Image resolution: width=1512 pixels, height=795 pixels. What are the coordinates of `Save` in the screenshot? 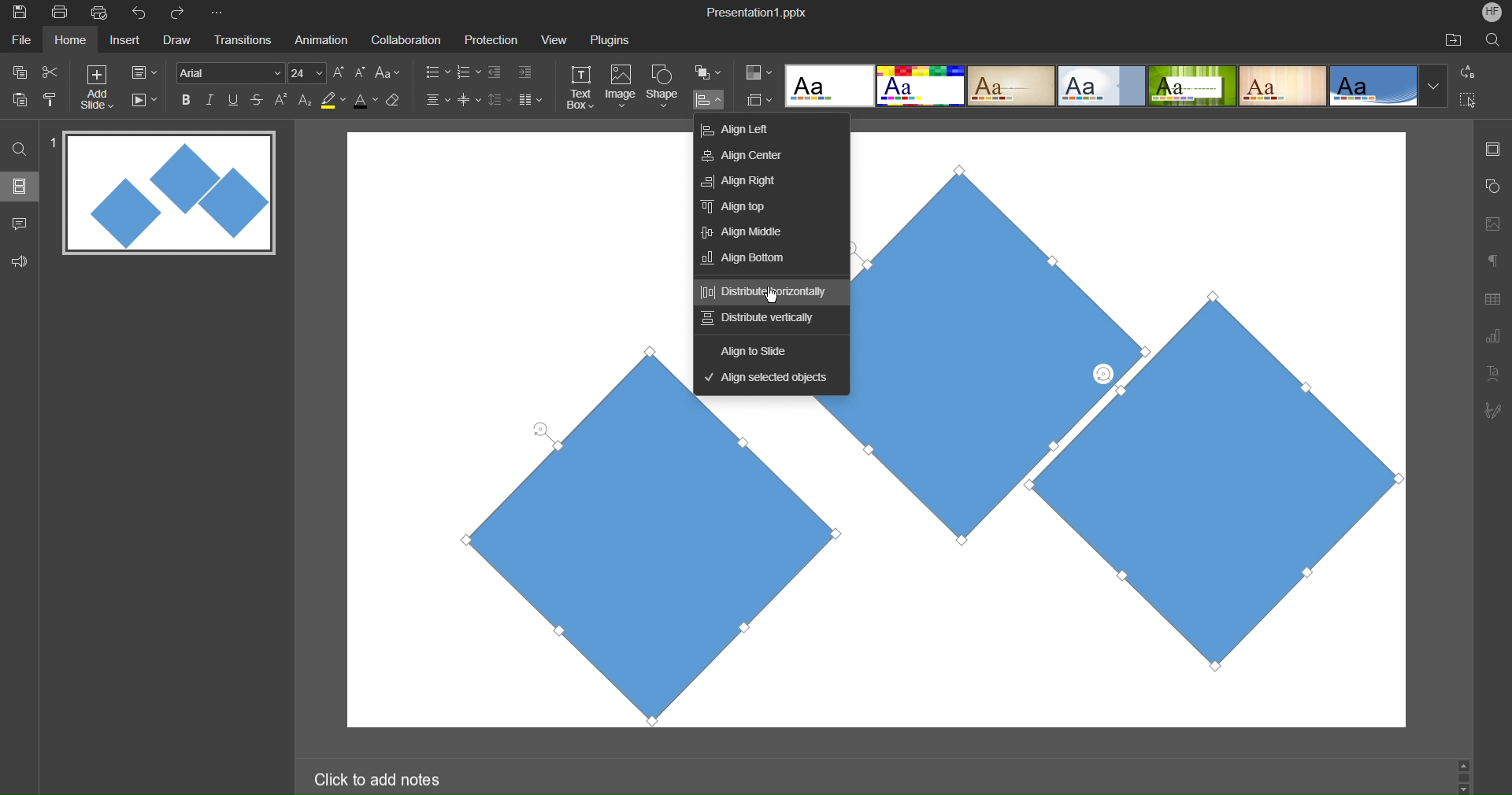 It's located at (18, 13).